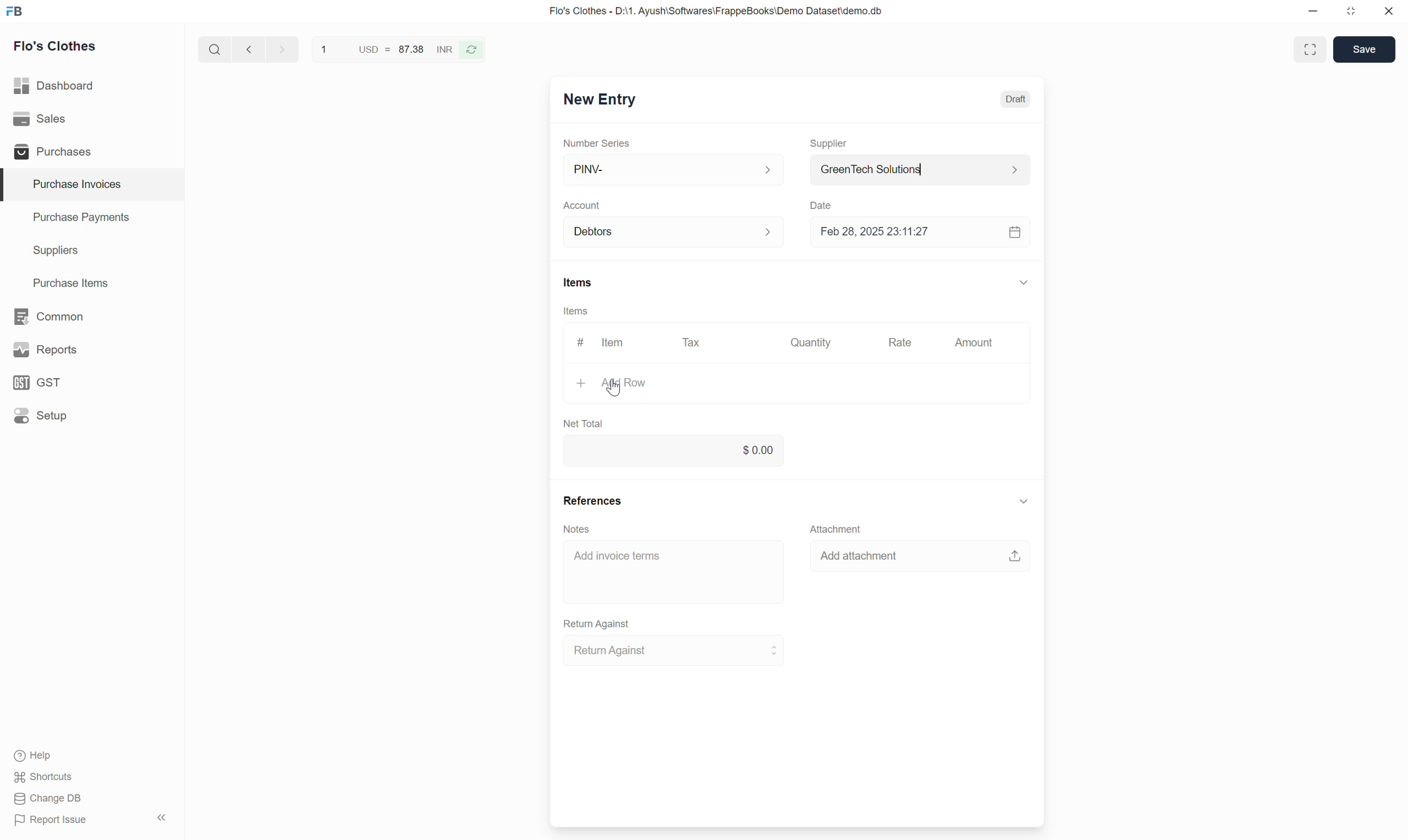 This screenshot has width=1408, height=840. What do you see at coordinates (596, 143) in the screenshot?
I see `Number Series` at bounding box center [596, 143].